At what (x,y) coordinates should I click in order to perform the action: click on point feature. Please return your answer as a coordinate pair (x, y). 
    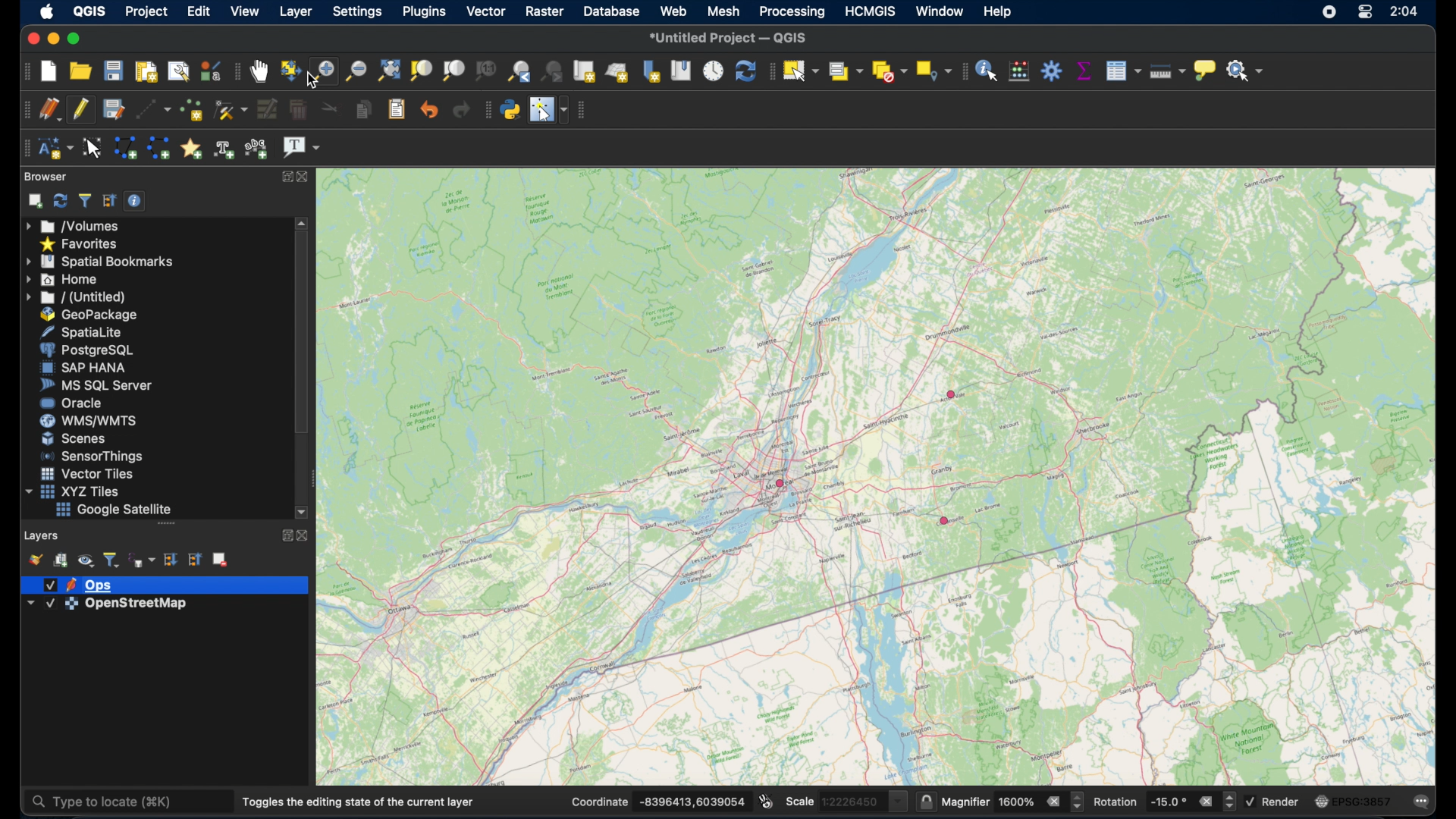
    Looking at the image, I should click on (781, 483).